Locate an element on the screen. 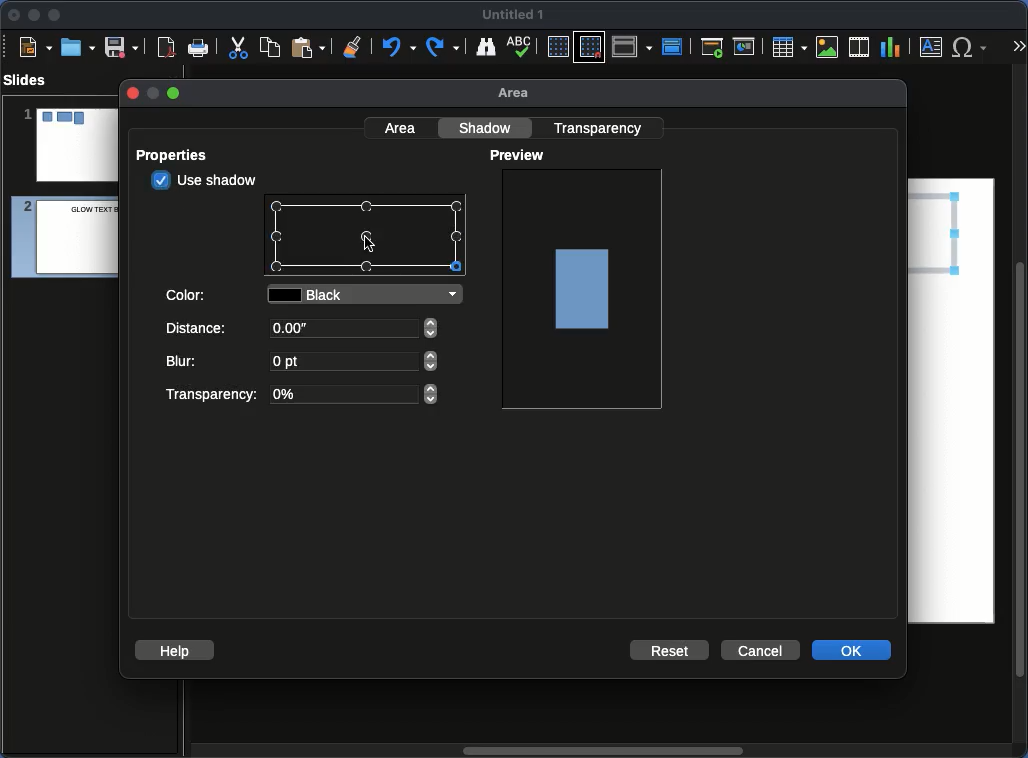 The height and width of the screenshot is (758, 1028). Scroll is located at coordinates (599, 752).